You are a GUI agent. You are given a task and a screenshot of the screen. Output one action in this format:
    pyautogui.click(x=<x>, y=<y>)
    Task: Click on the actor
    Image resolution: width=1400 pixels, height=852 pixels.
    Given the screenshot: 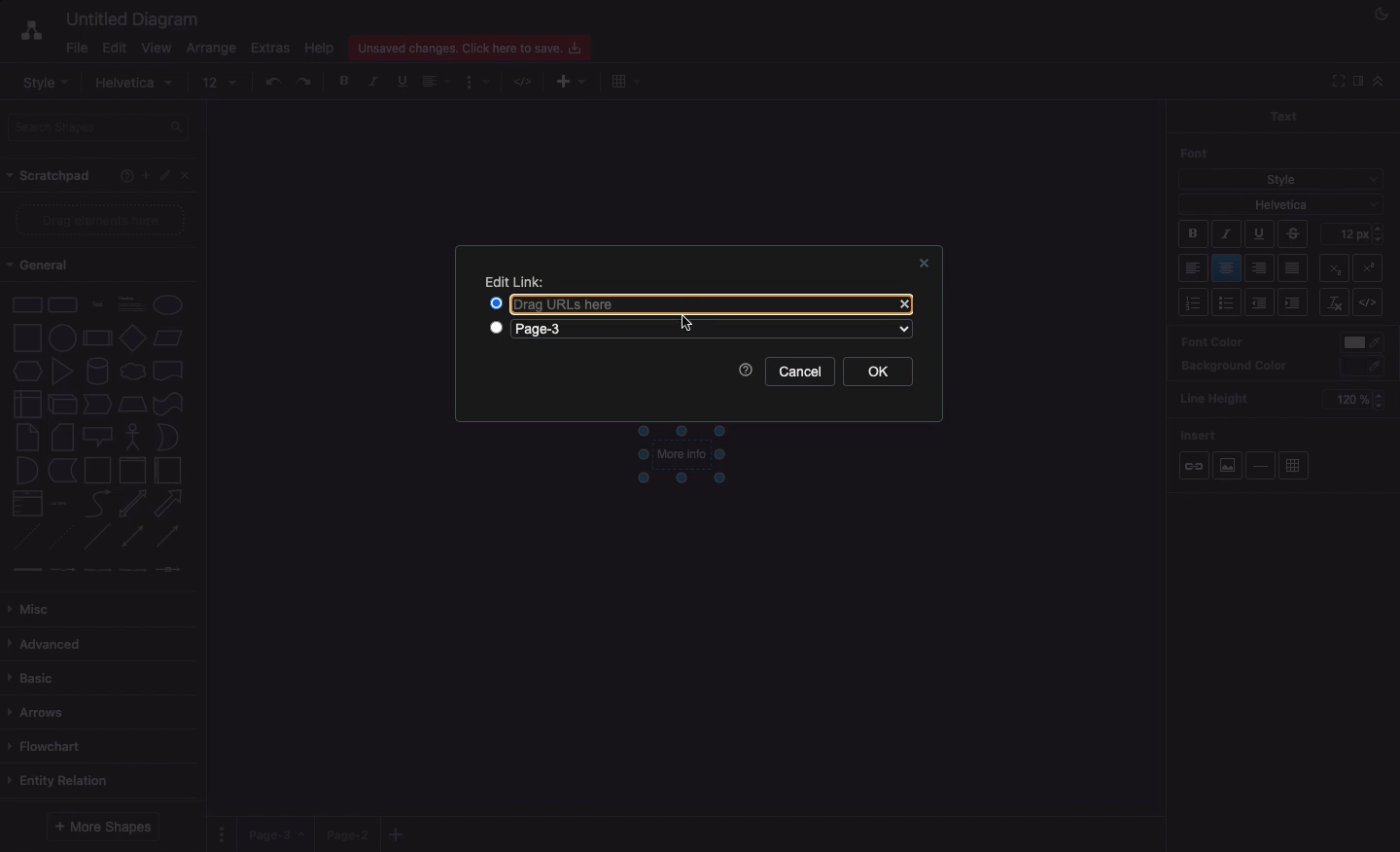 What is the action you would take?
    pyautogui.click(x=131, y=438)
    